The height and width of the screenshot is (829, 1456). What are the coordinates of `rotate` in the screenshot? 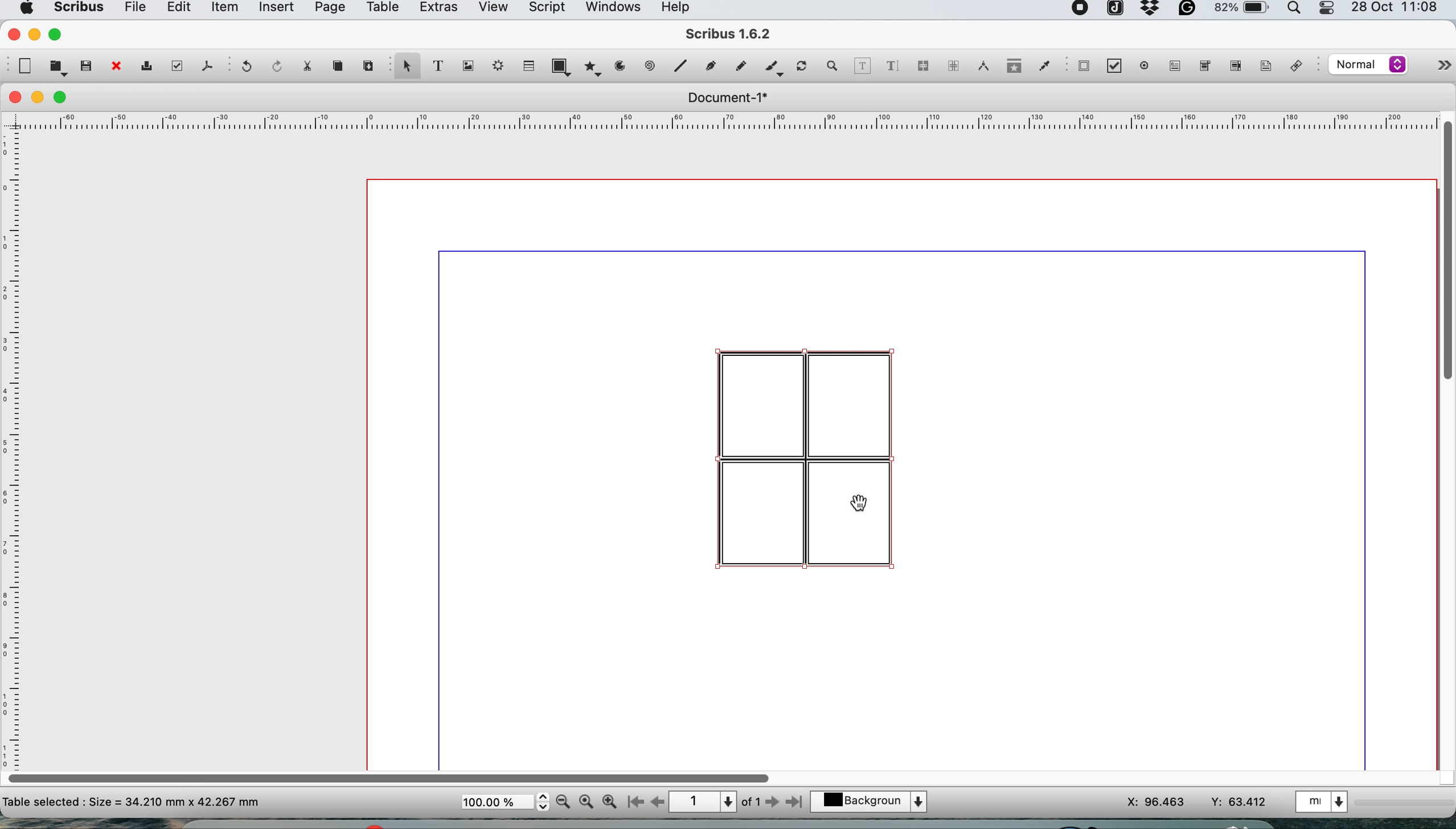 It's located at (803, 67).